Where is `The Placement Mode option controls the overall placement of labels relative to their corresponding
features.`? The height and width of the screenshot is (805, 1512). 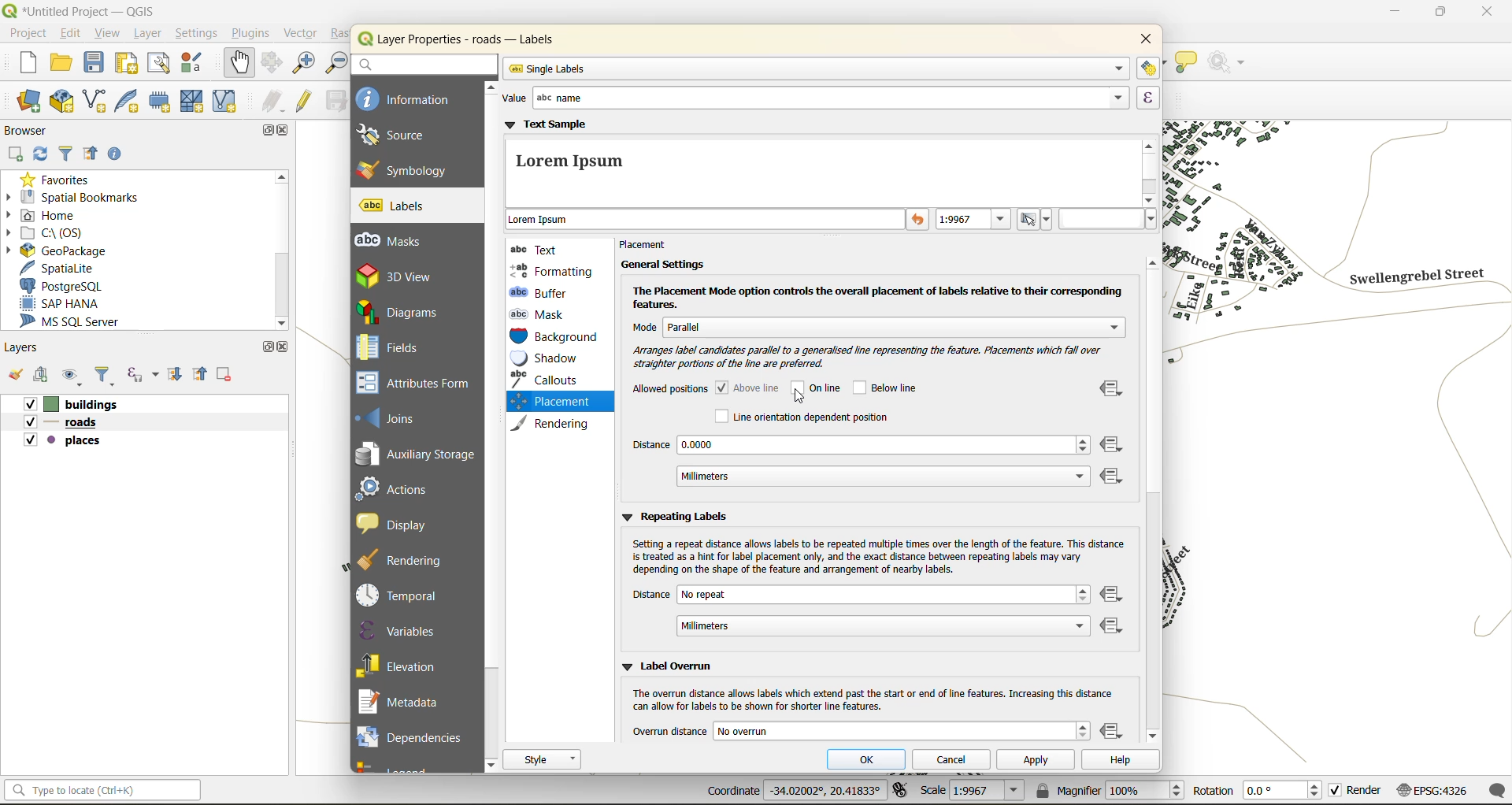 The Placement Mode option controls the overall placement of labels relative to their corresponding
features. is located at coordinates (877, 299).